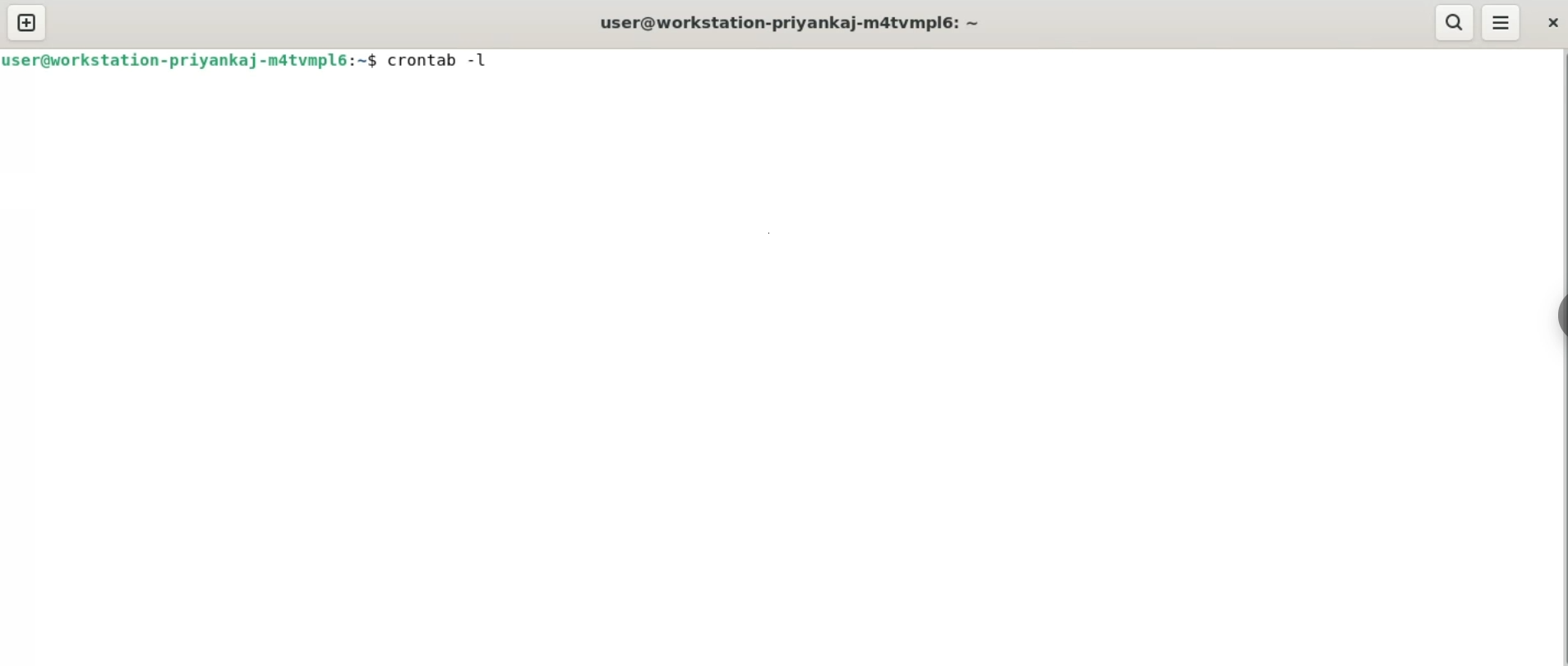 The image size is (1568, 666). I want to click on sidebar, so click(1558, 317).